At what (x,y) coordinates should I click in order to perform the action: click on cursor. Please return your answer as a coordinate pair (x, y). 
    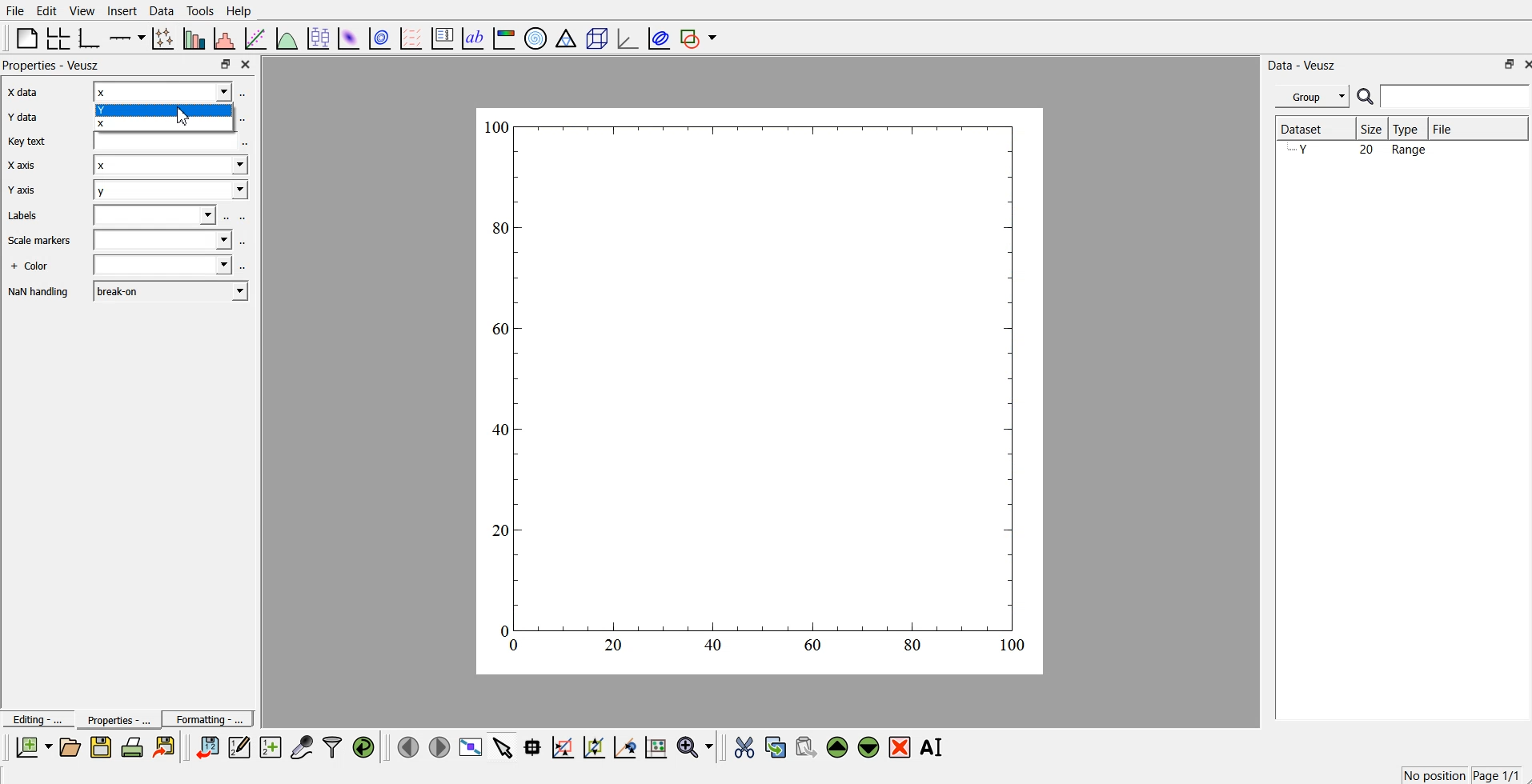
    Looking at the image, I should click on (188, 118).